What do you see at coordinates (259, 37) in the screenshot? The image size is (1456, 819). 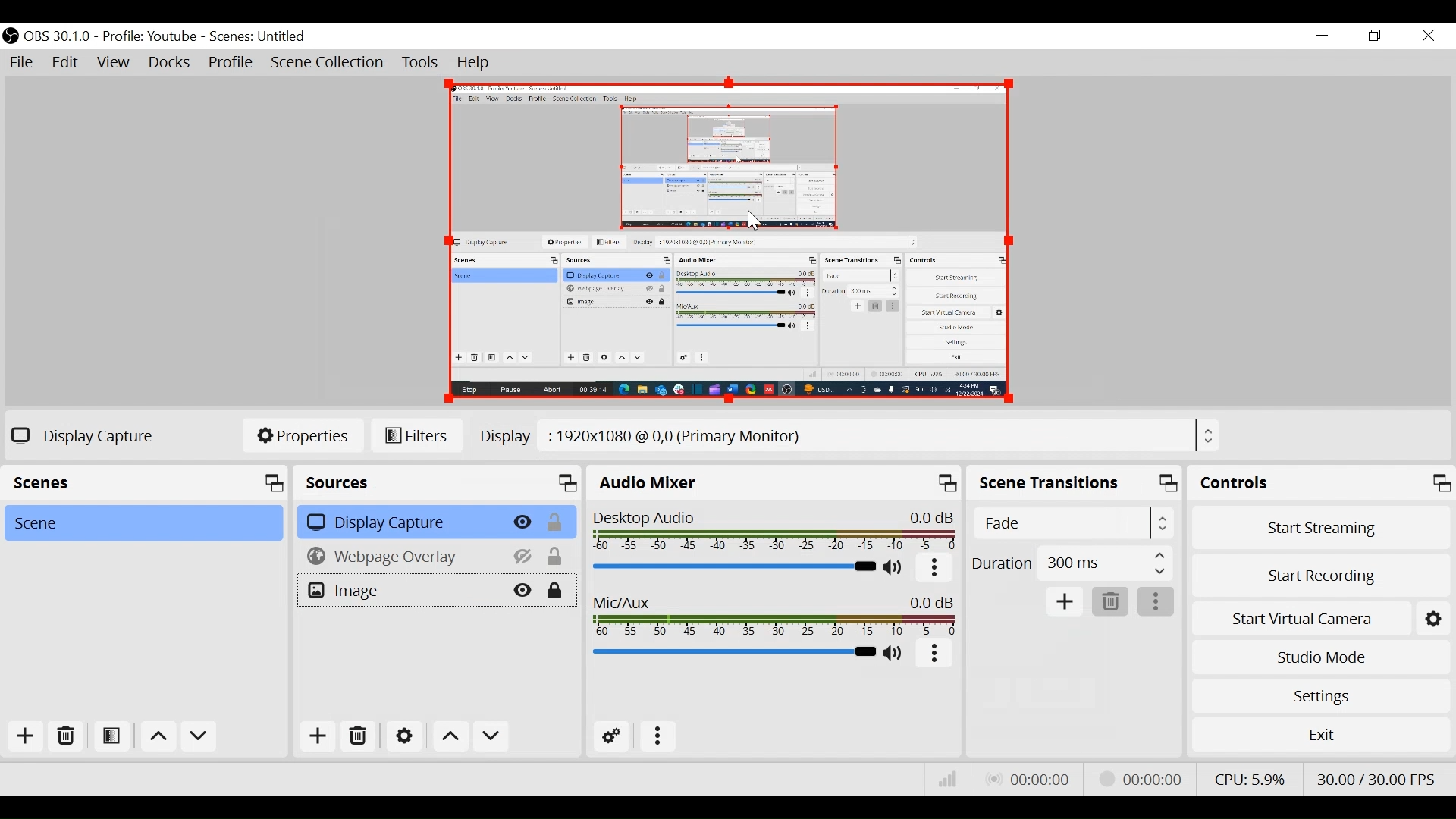 I see `Scenes` at bounding box center [259, 37].